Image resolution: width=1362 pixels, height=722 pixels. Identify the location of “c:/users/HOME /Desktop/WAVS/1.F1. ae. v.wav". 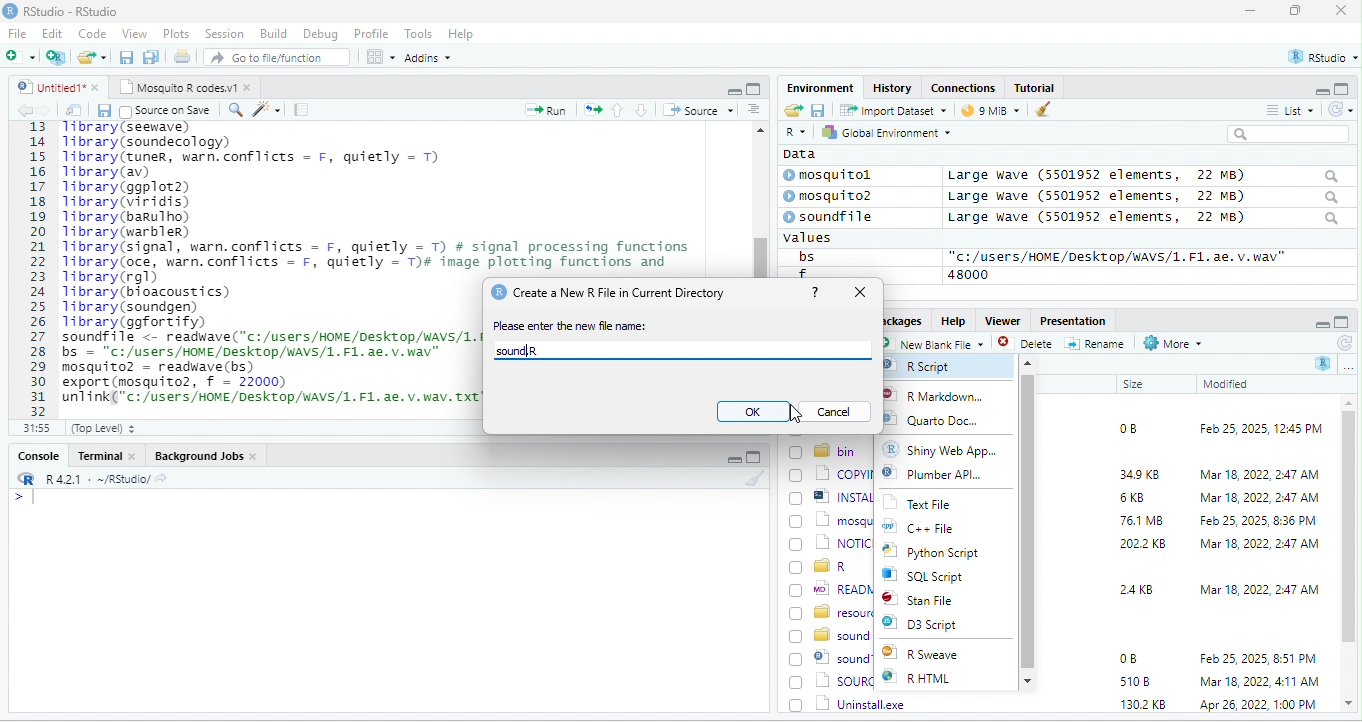
(1117, 256).